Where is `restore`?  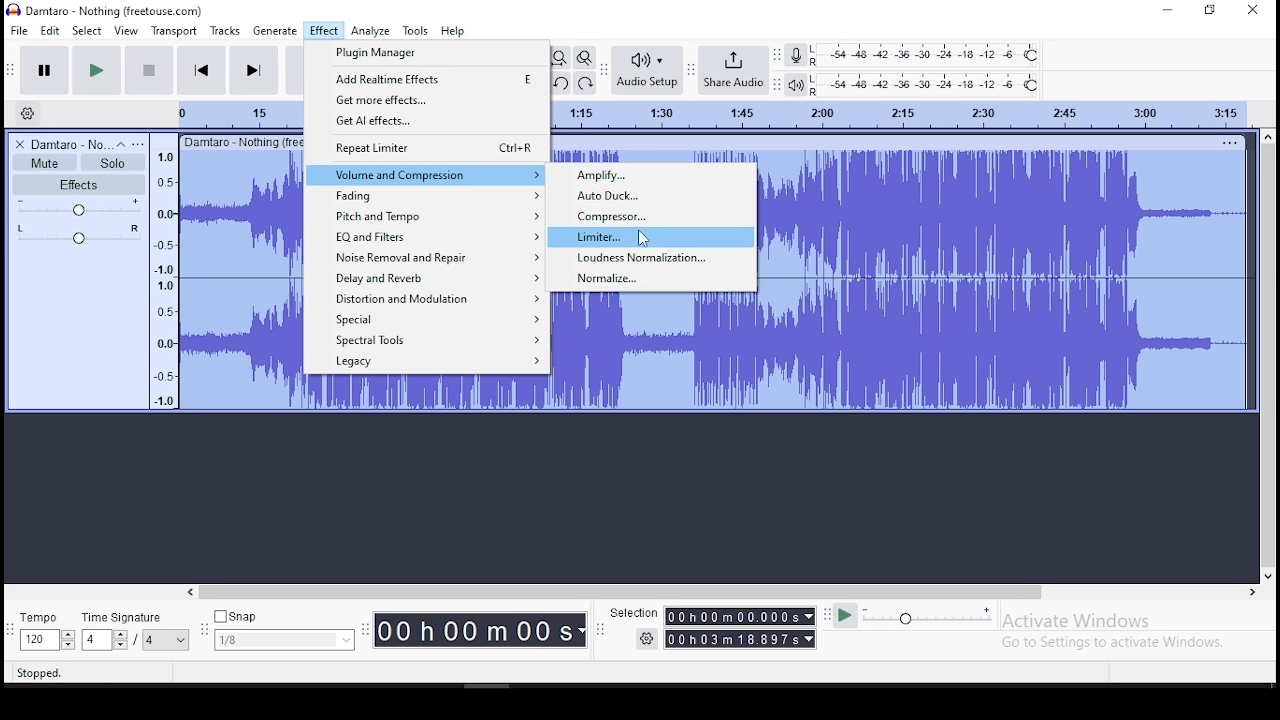 restore is located at coordinates (1212, 9).